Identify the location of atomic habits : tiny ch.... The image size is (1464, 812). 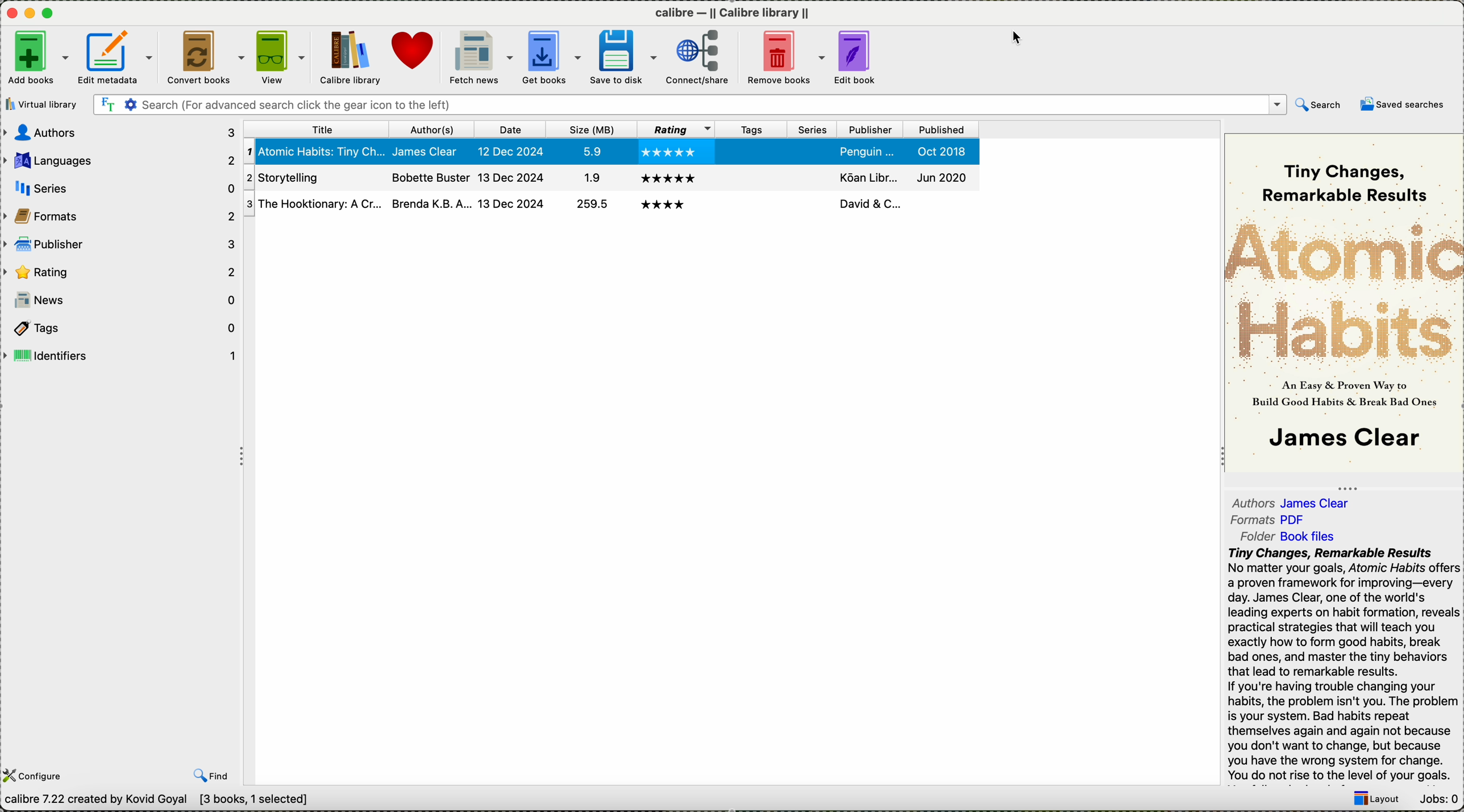
(315, 152).